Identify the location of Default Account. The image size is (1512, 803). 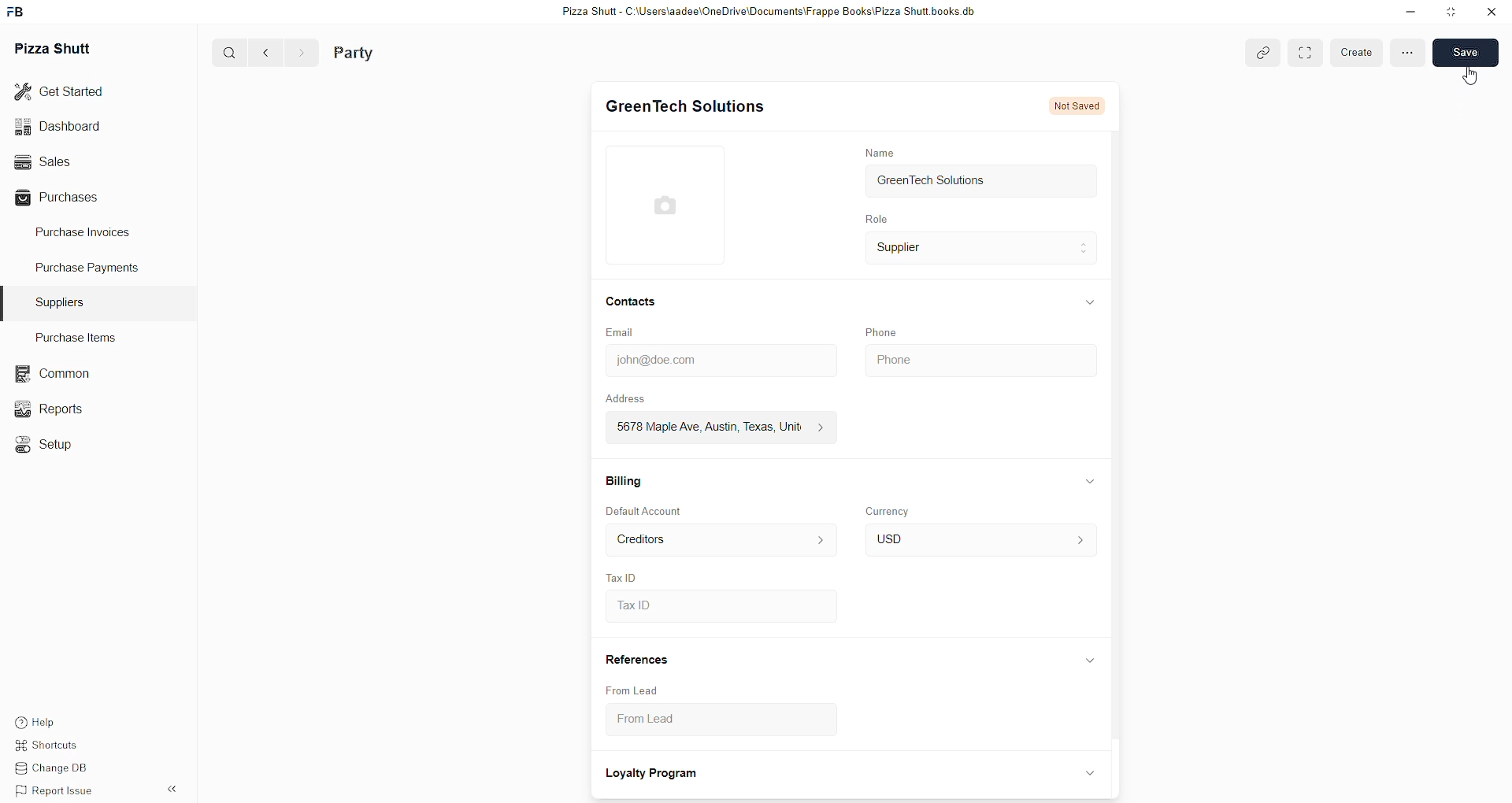
(647, 512).